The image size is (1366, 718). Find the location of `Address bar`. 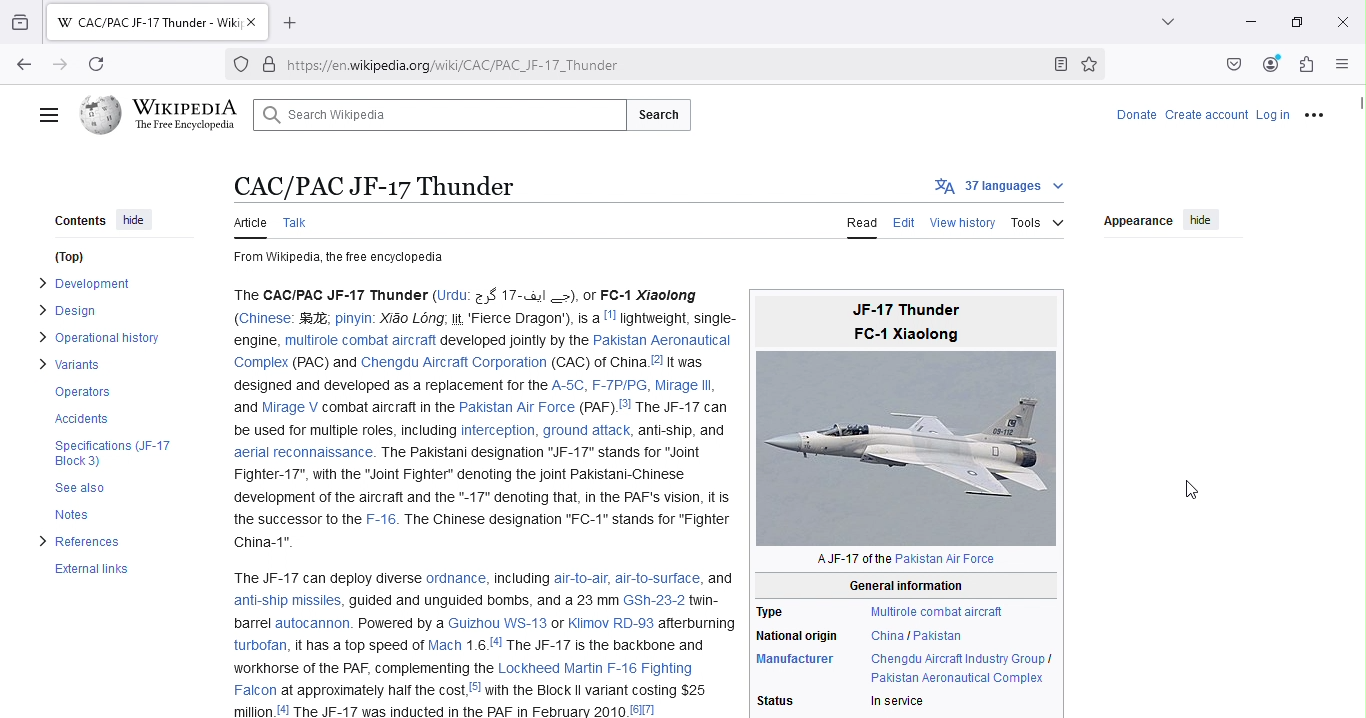

Address bar is located at coordinates (665, 63).